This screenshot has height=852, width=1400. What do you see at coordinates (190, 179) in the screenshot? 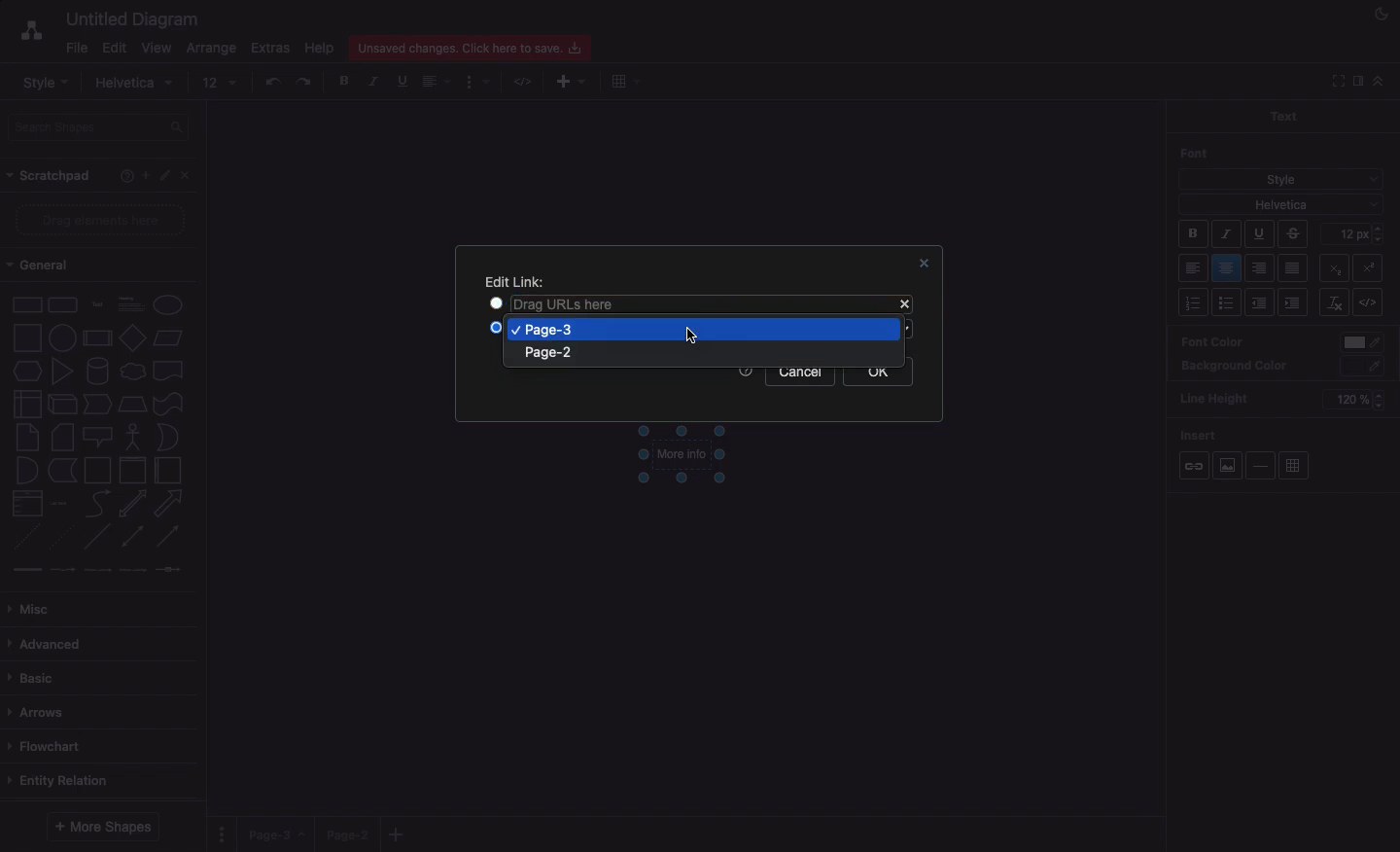
I see `Close` at bounding box center [190, 179].